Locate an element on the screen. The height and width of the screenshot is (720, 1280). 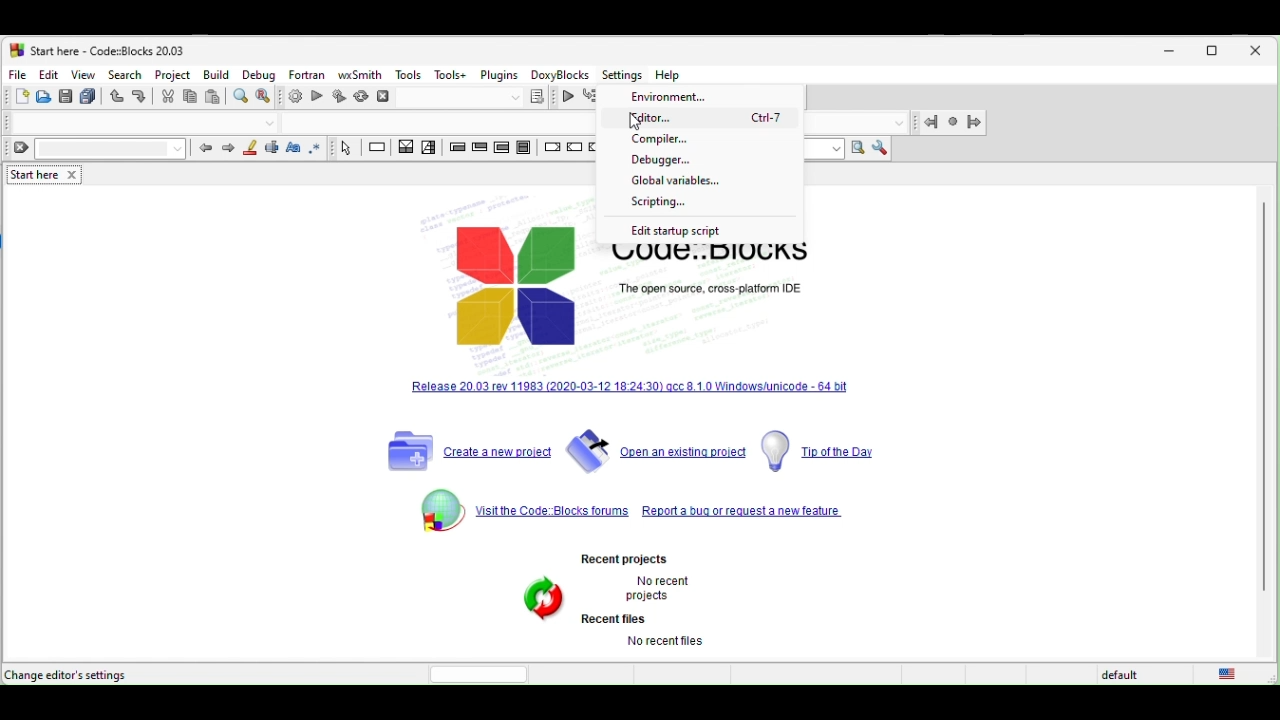
compiler is located at coordinates (677, 140).